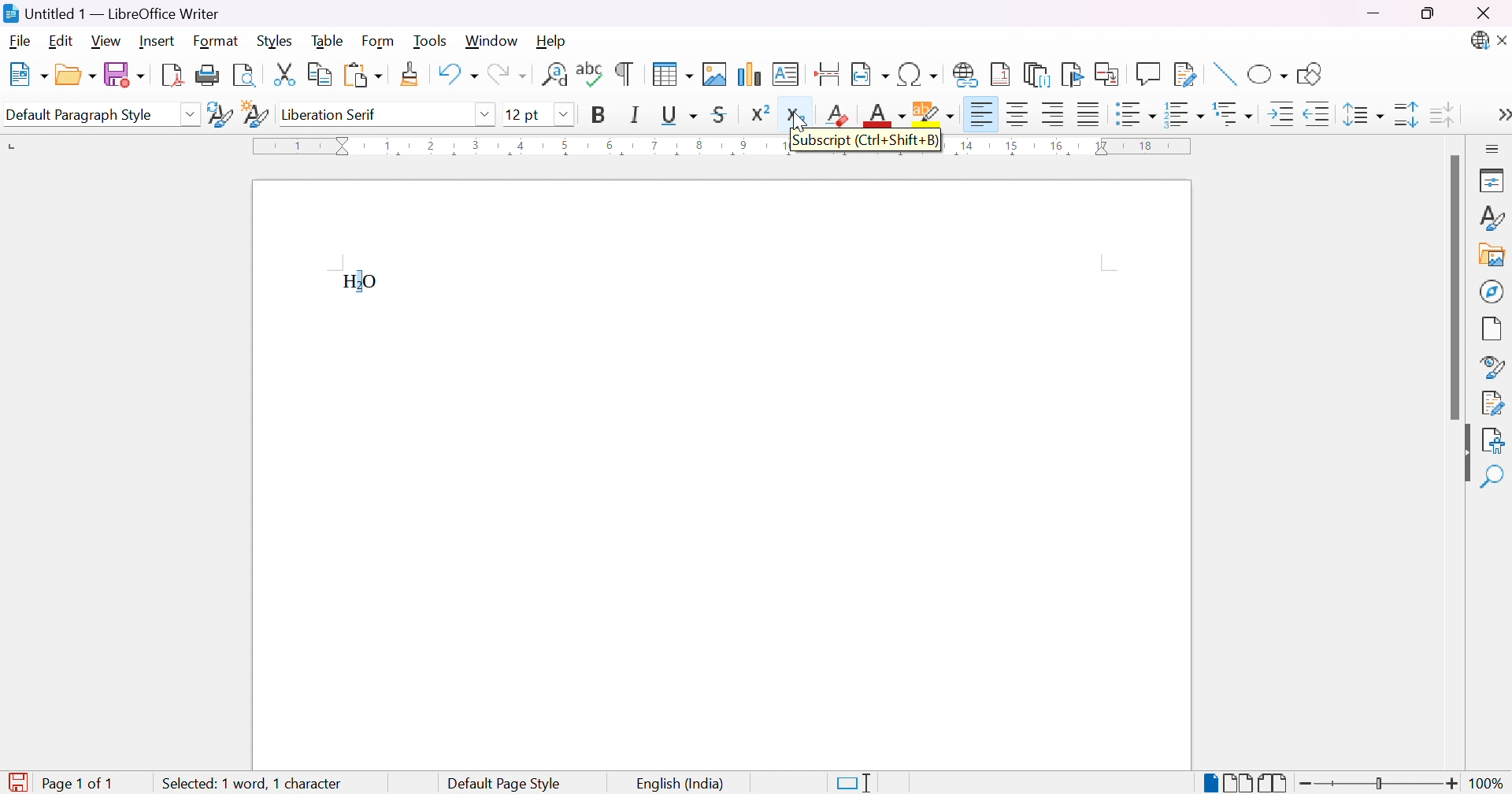  What do you see at coordinates (21, 43) in the screenshot?
I see `File` at bounding box center [21, 43].